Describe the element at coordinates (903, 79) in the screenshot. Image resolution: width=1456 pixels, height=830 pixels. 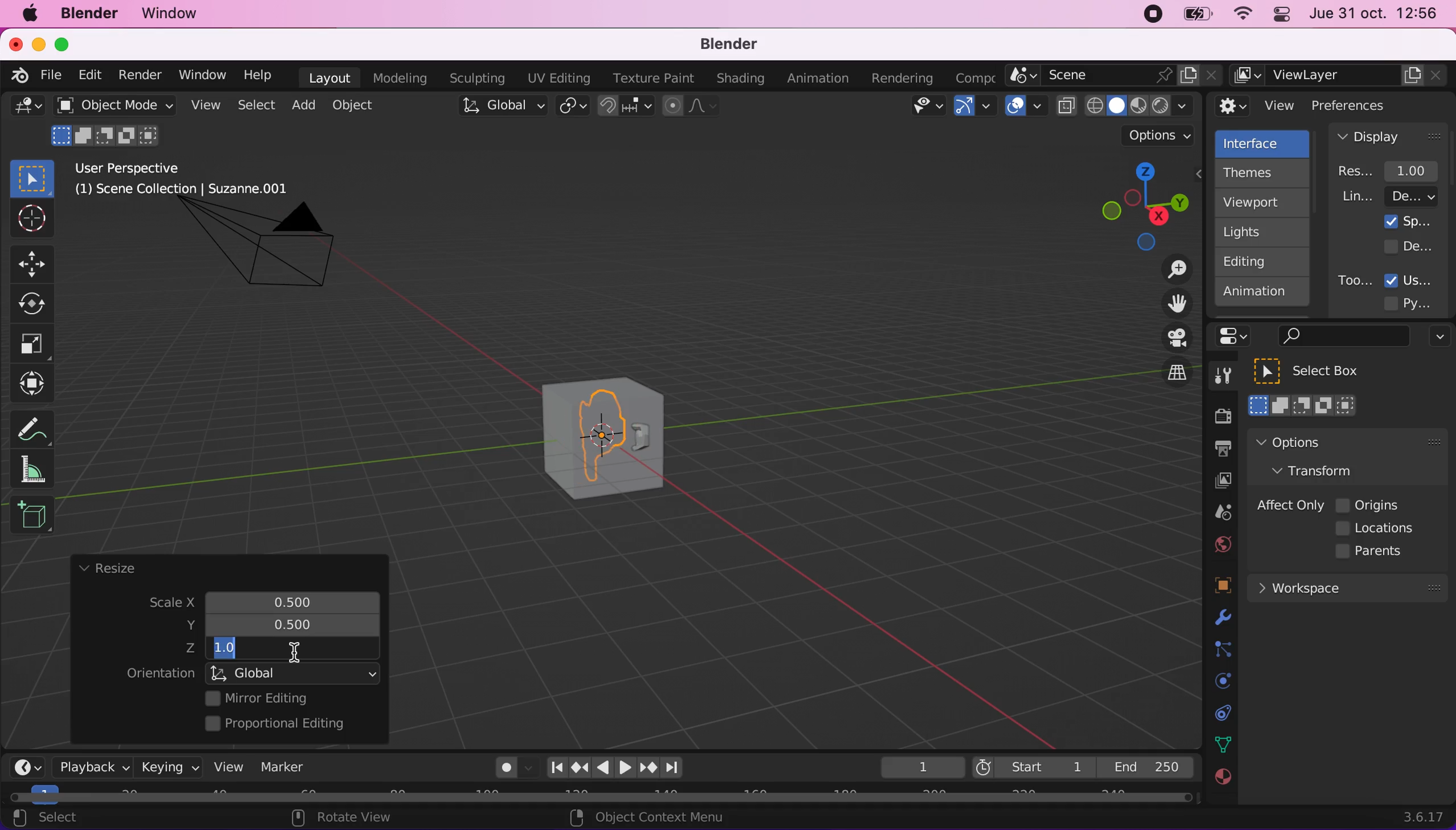
I see `rendering` at that location.